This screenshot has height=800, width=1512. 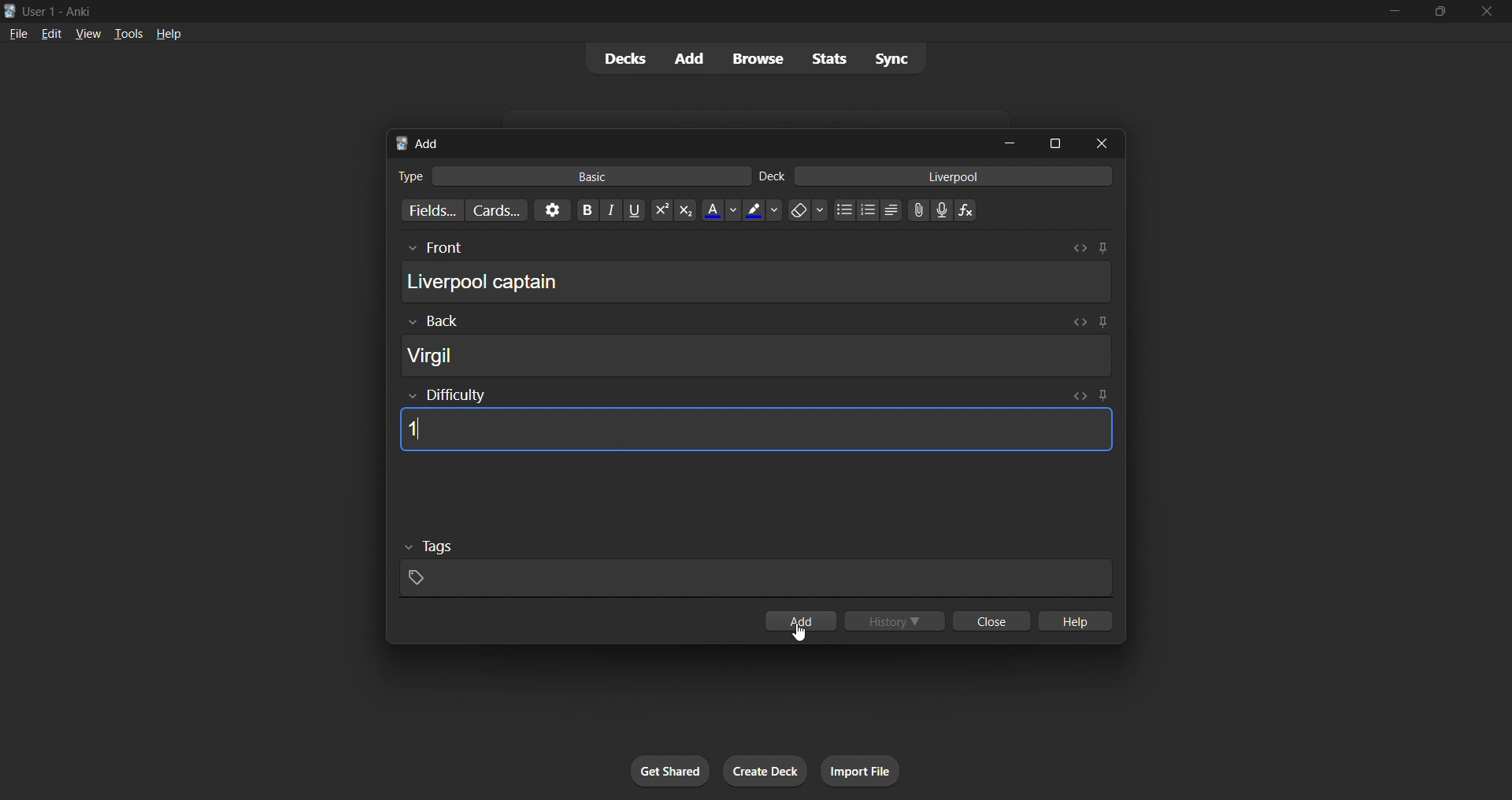 What do you see at coordinates (429, 210) in the screenshot?
I see `customize fields` at bounding box center [429, 210].